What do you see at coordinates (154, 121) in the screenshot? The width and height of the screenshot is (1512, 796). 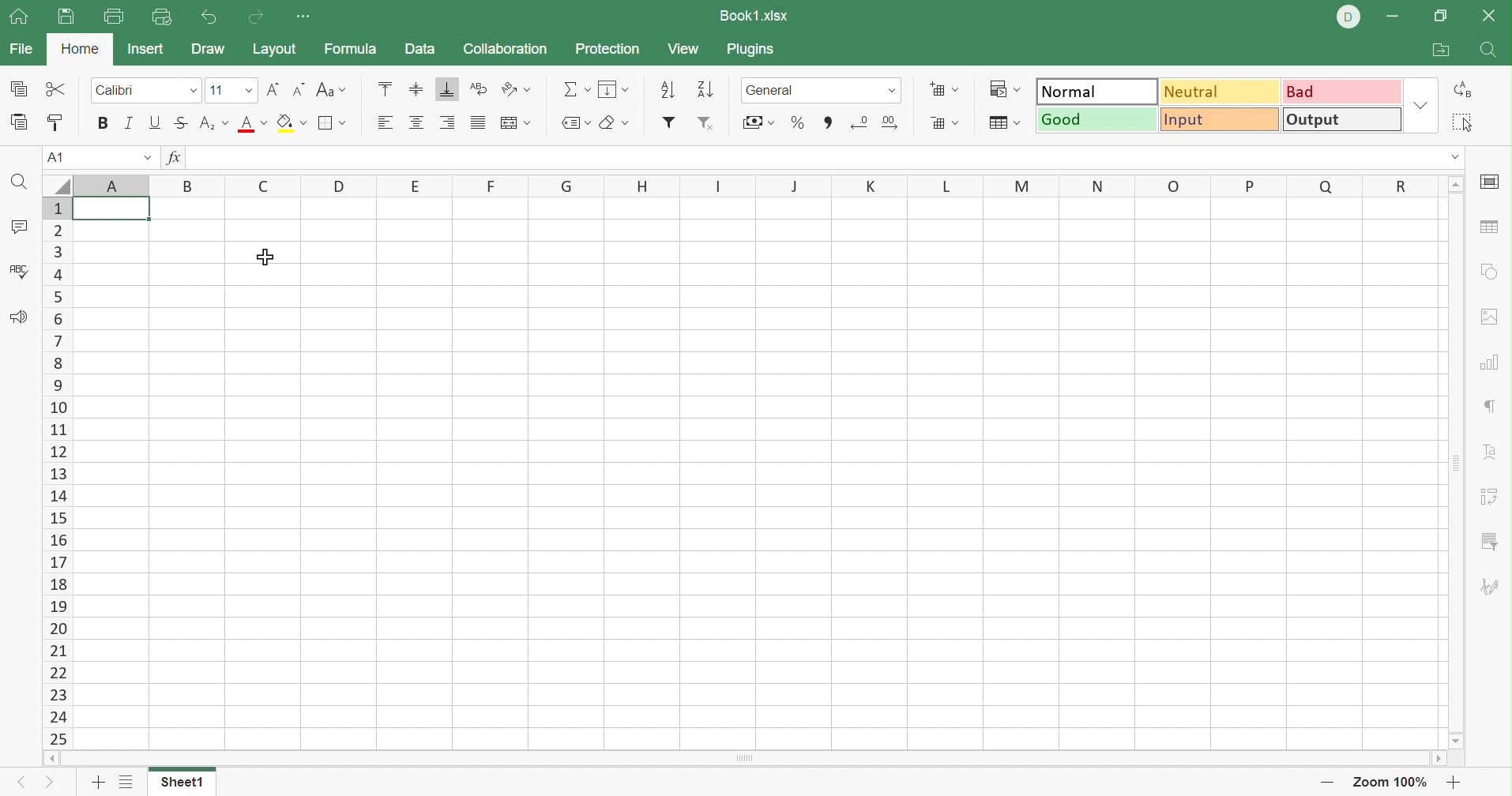 I see `Underline` at bounding box center [154, 121].